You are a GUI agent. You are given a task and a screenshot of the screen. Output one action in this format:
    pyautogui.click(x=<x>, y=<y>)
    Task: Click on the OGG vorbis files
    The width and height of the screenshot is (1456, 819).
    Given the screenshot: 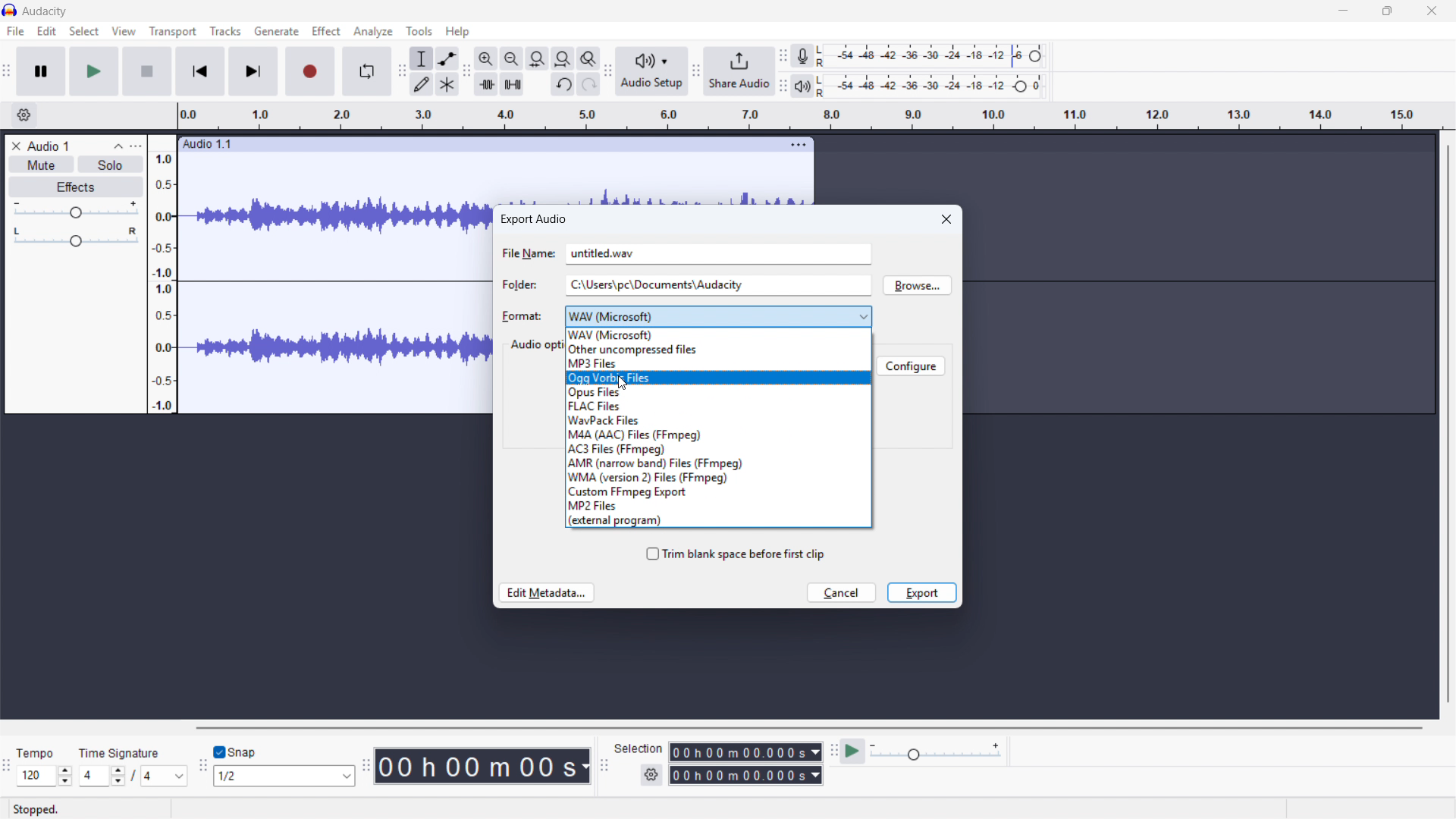 What is the action you would take?
    pyautogui.click(x=719, y=378)
    